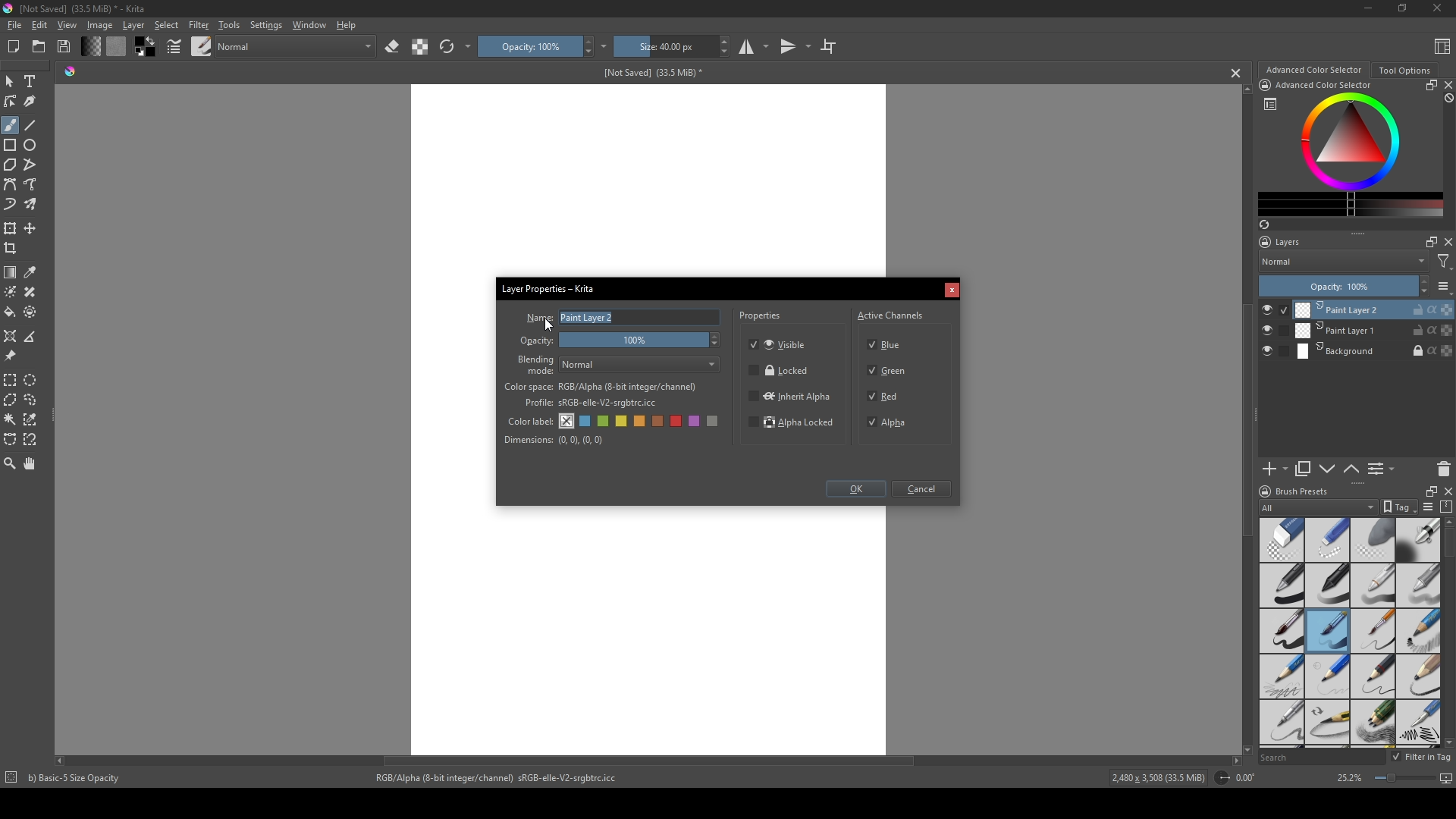 This screenshot has height=819, width=1456. What do you see at coordinates (1373, 585) in the screenshot?
I see `white pen` at bounding box center [1373, 585].